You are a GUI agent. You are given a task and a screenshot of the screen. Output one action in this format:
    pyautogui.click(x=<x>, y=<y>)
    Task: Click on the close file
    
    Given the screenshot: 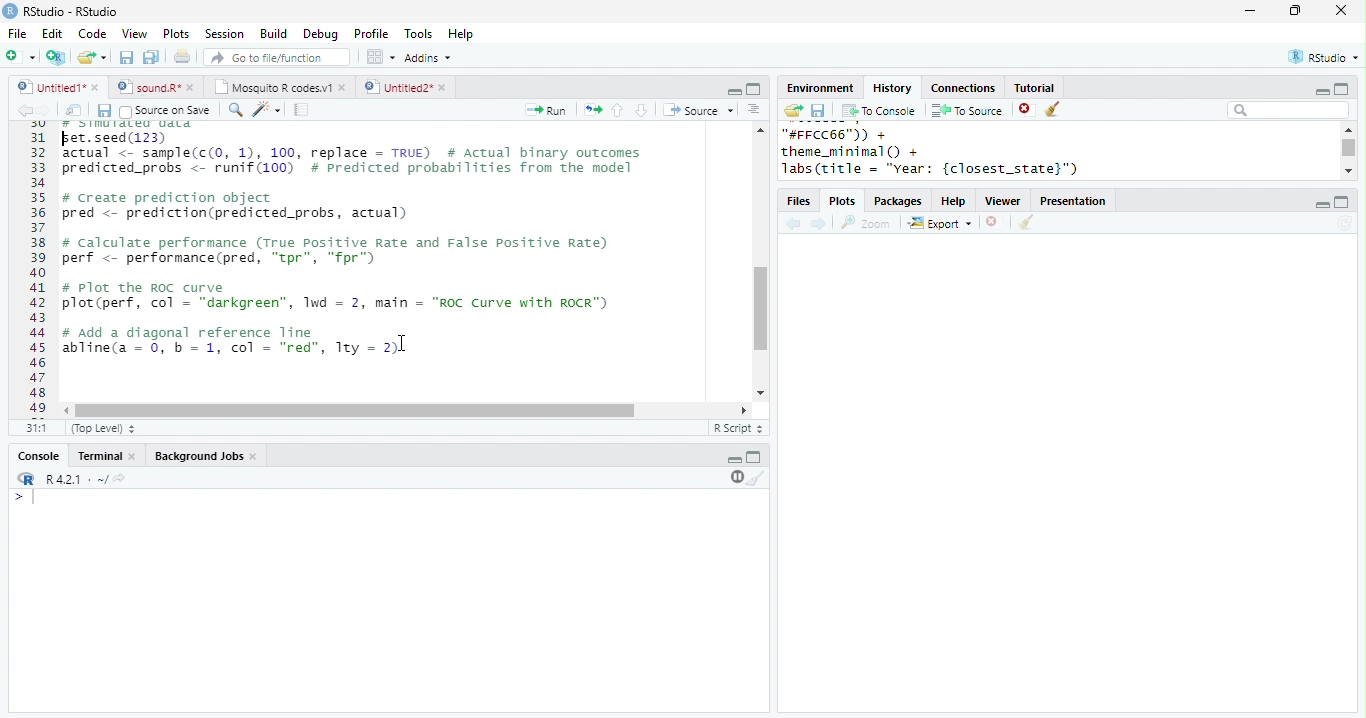 What is the action you would take?
    pyautogui.click(x=1027, y=110)
    